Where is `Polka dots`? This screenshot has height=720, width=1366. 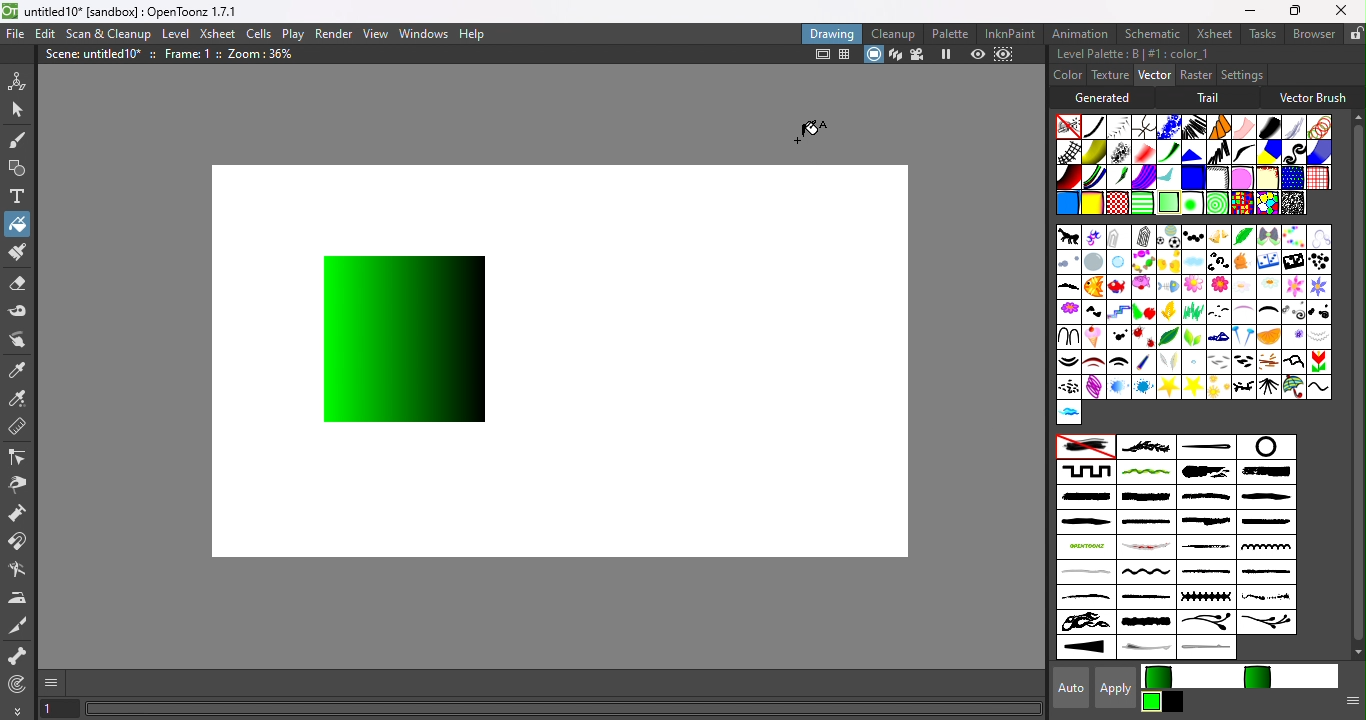
Polka dots is located at coordinates (1291, 178).